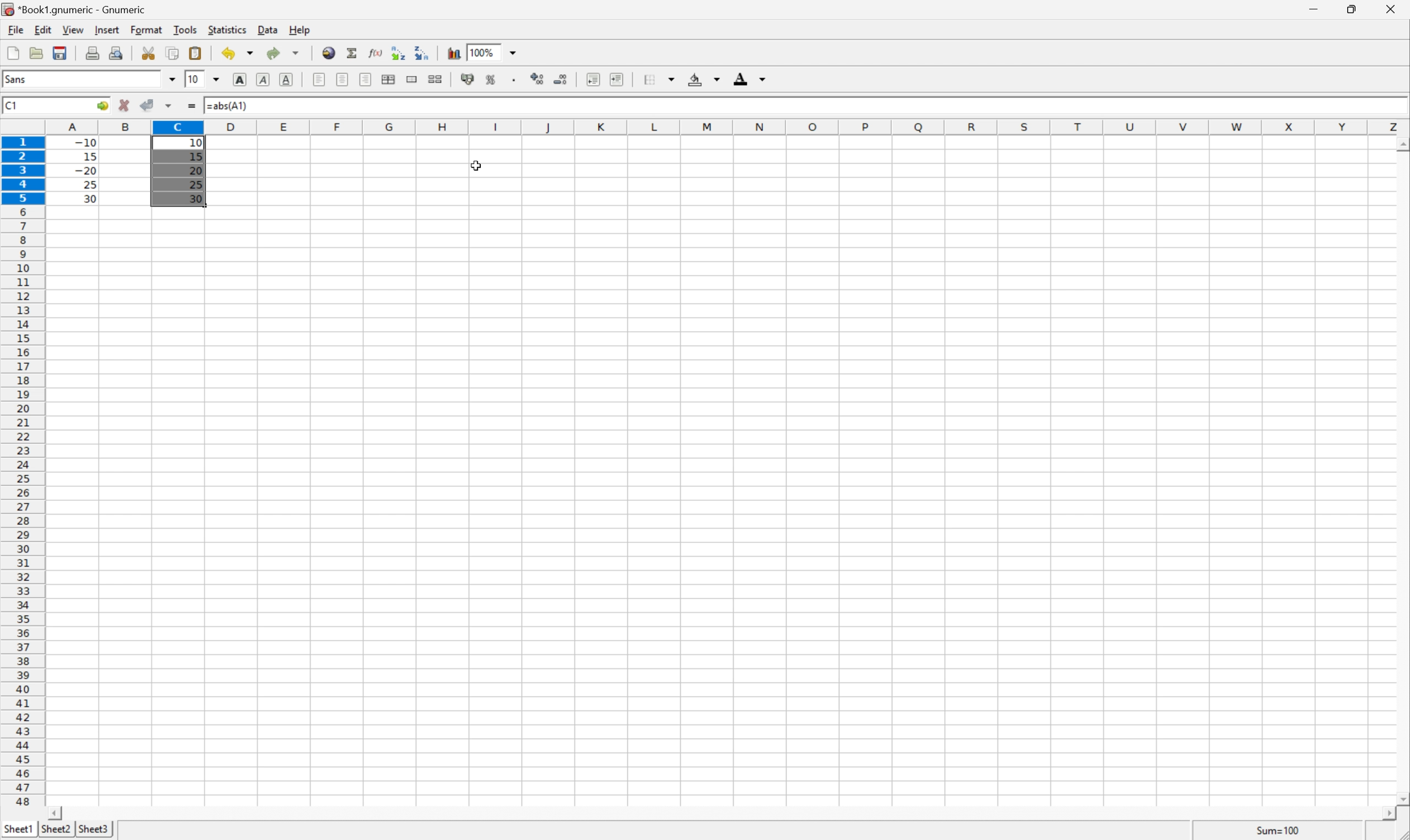 The image size is (1410, 840). What do you see at coordinates (763, 80) in the screenshot?
I see `Dorp Down` at bounding box center [763, 80].